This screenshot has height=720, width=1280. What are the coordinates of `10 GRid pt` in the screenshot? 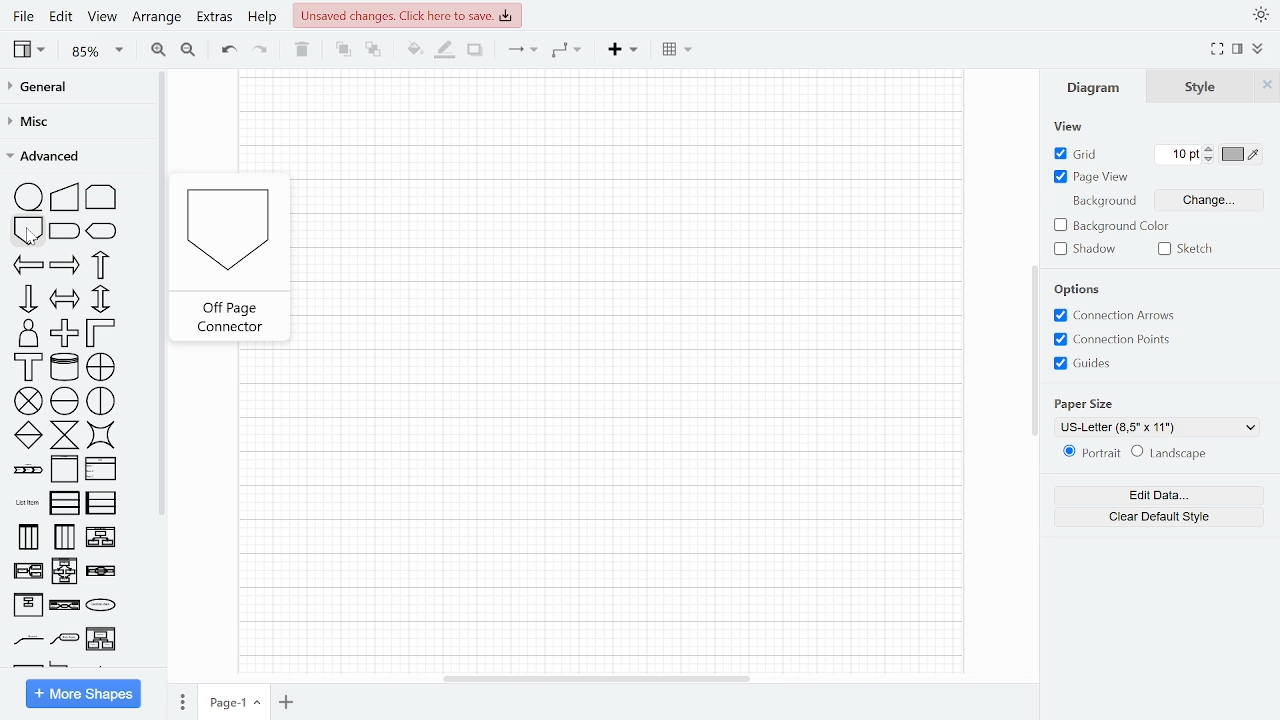 It's located at (1182, 154).